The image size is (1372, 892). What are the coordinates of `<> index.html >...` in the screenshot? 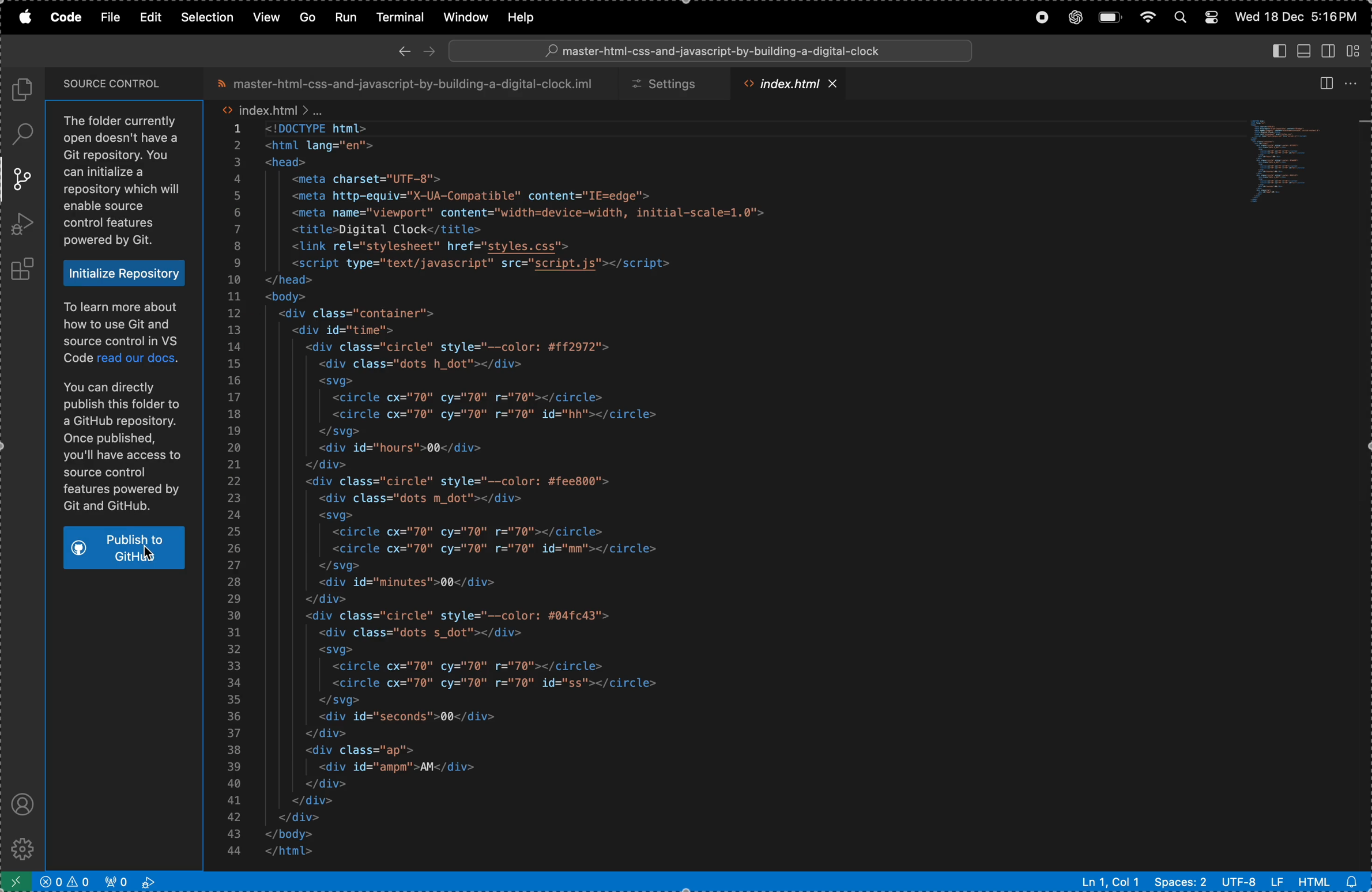 It's located at (274, 109).